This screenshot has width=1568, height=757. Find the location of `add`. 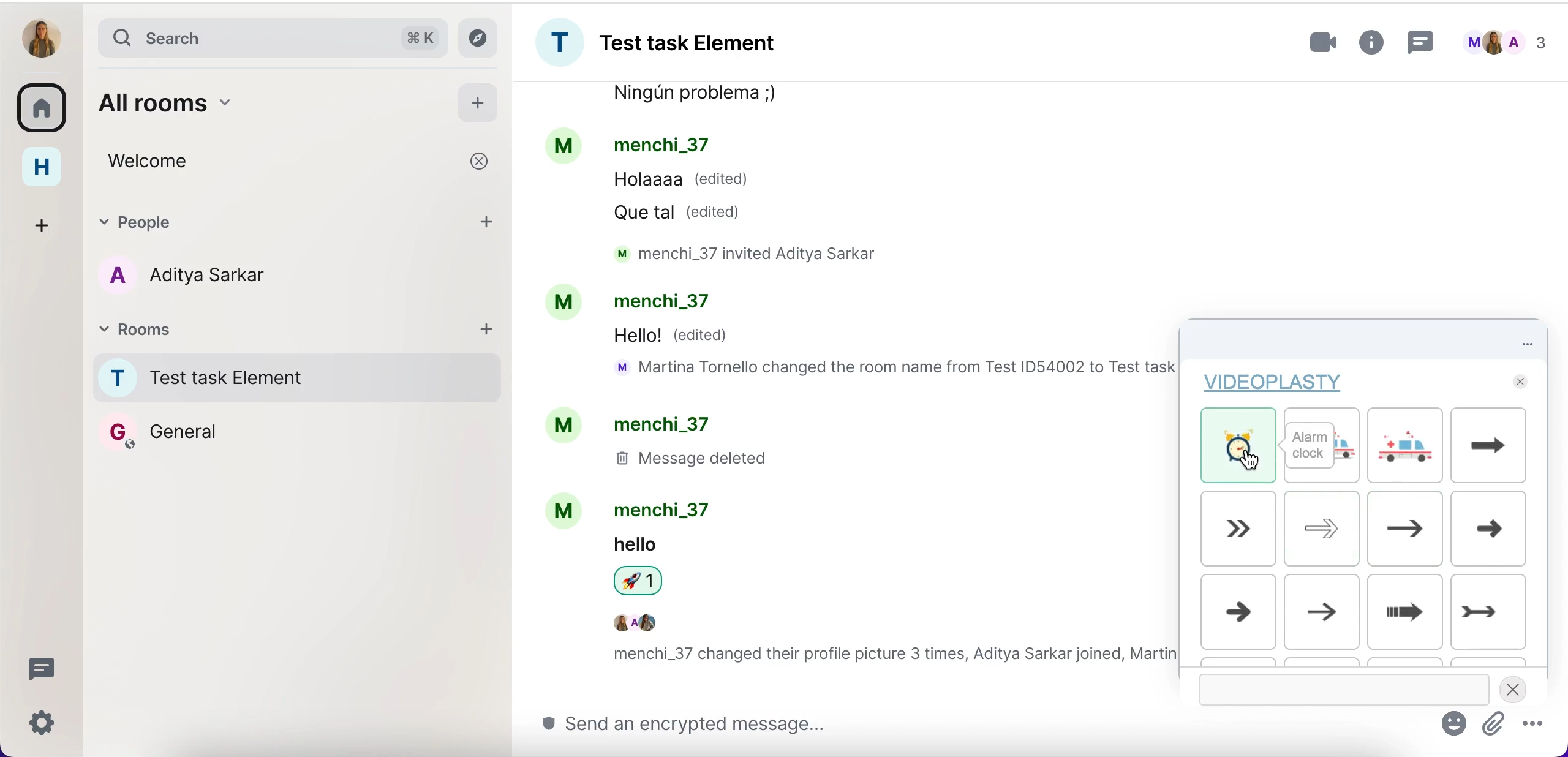

add is located at coordinates (477, 102).